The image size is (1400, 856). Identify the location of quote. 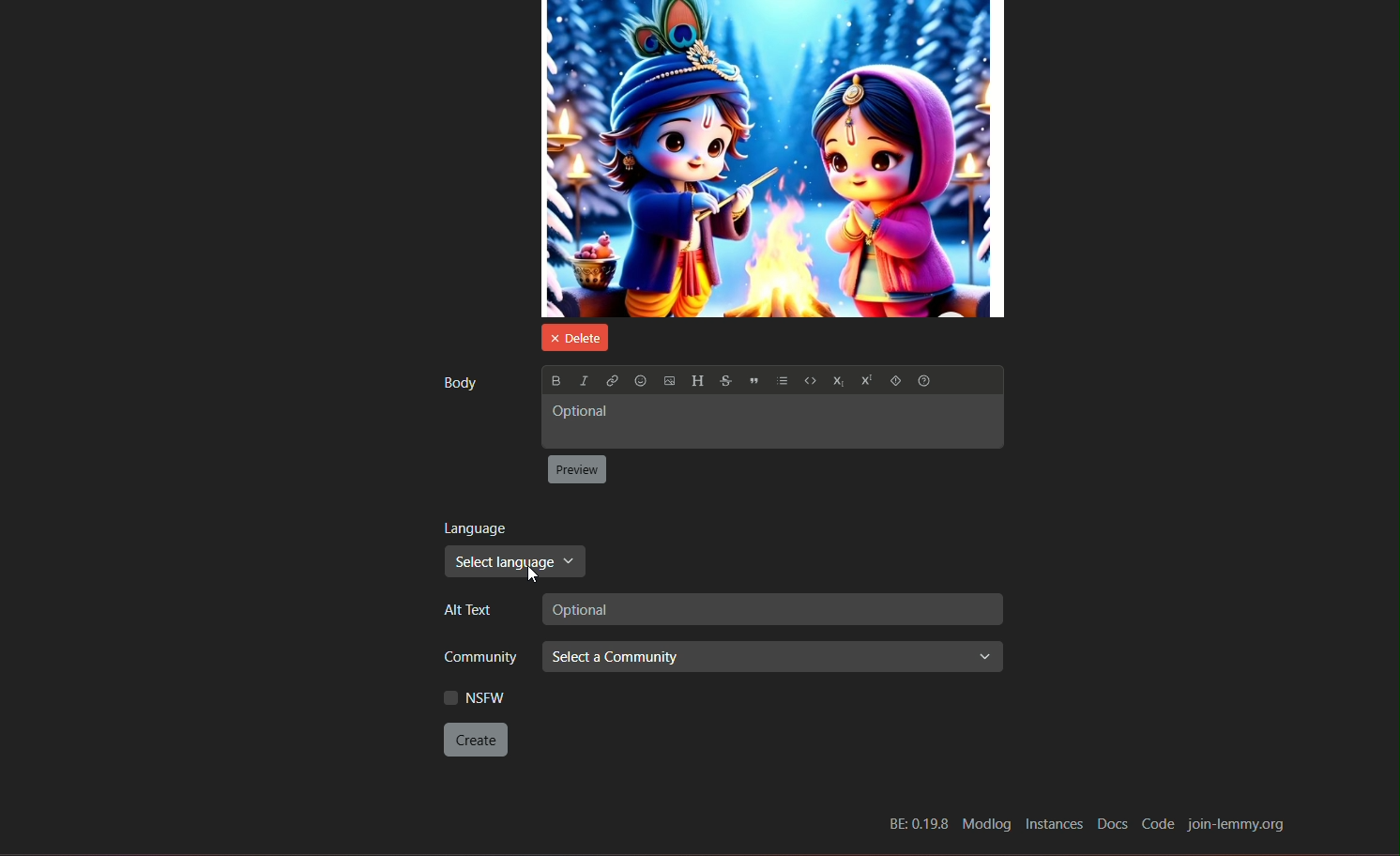
(754, 383).